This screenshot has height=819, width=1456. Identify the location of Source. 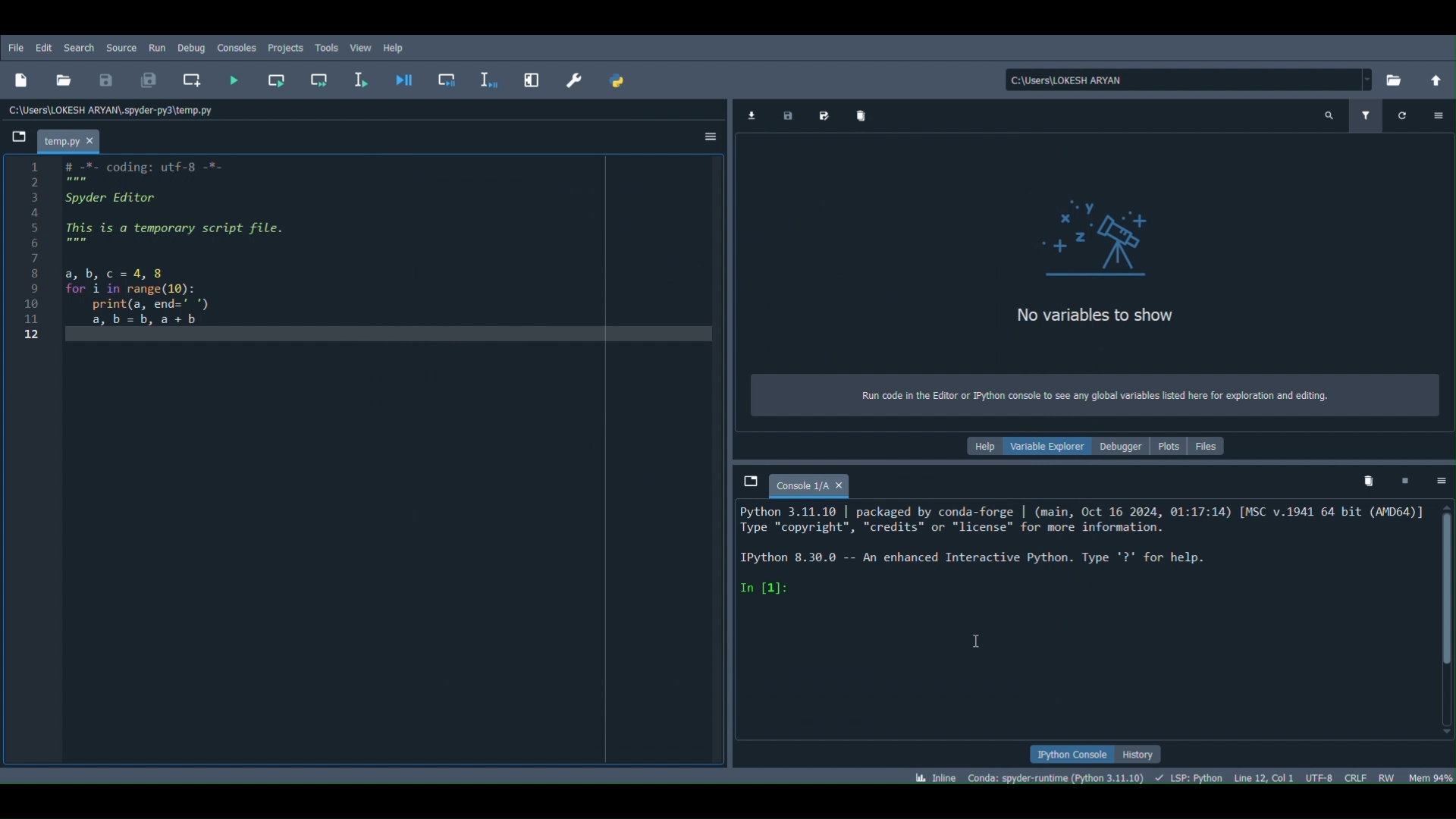
(124, 47).